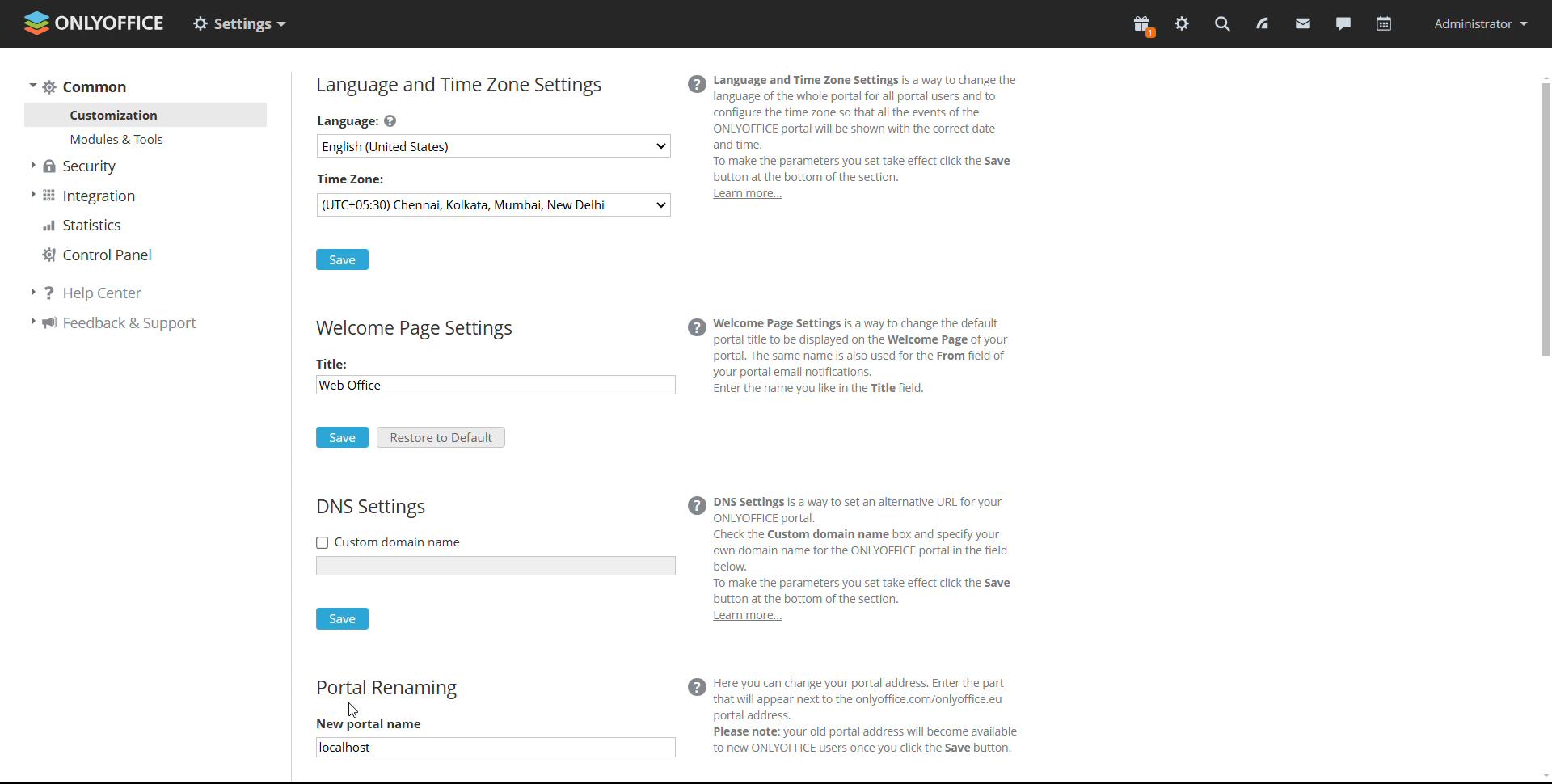 The image size is (1552, 784). What do you see at coordinates (1382, 27) in the screenshot?
I see `calendar` at bounding box center [1382, 27].